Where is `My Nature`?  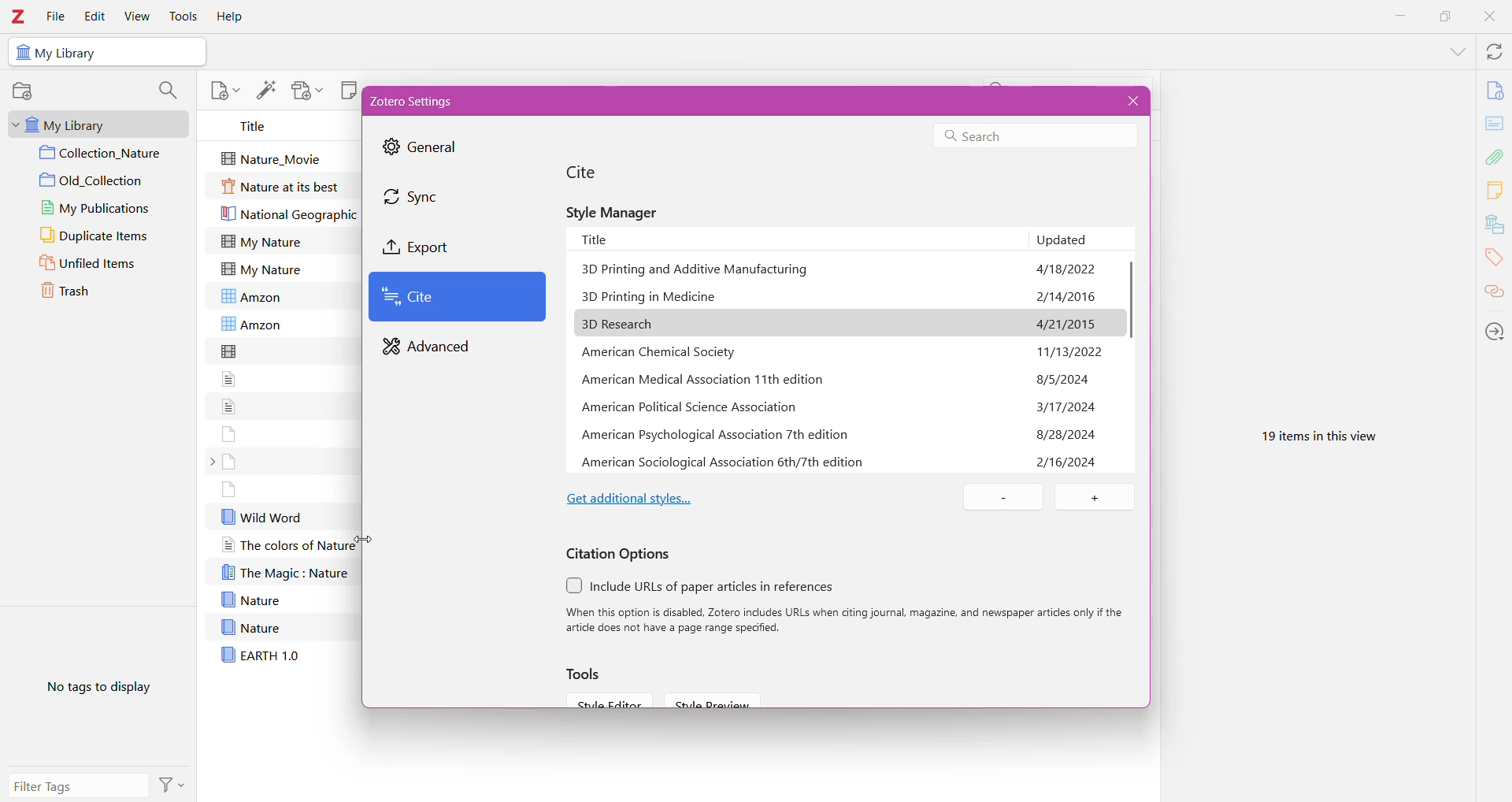 My Nature is located at coordinates (261, 241).